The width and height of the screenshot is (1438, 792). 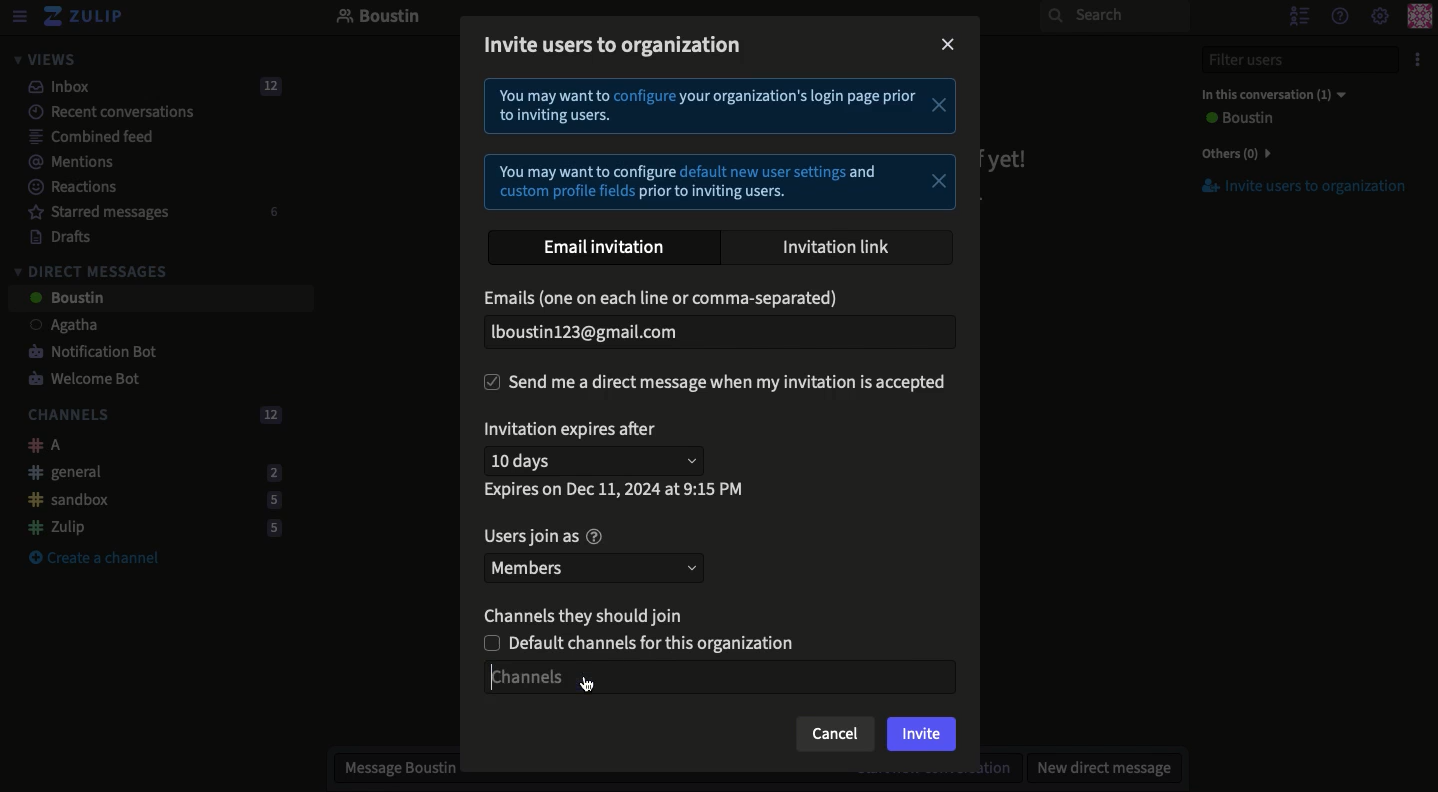 What do you see at coordinates (147, 501) in the screenshot?
I see `Sandbox` at bounding box center [147, 501].